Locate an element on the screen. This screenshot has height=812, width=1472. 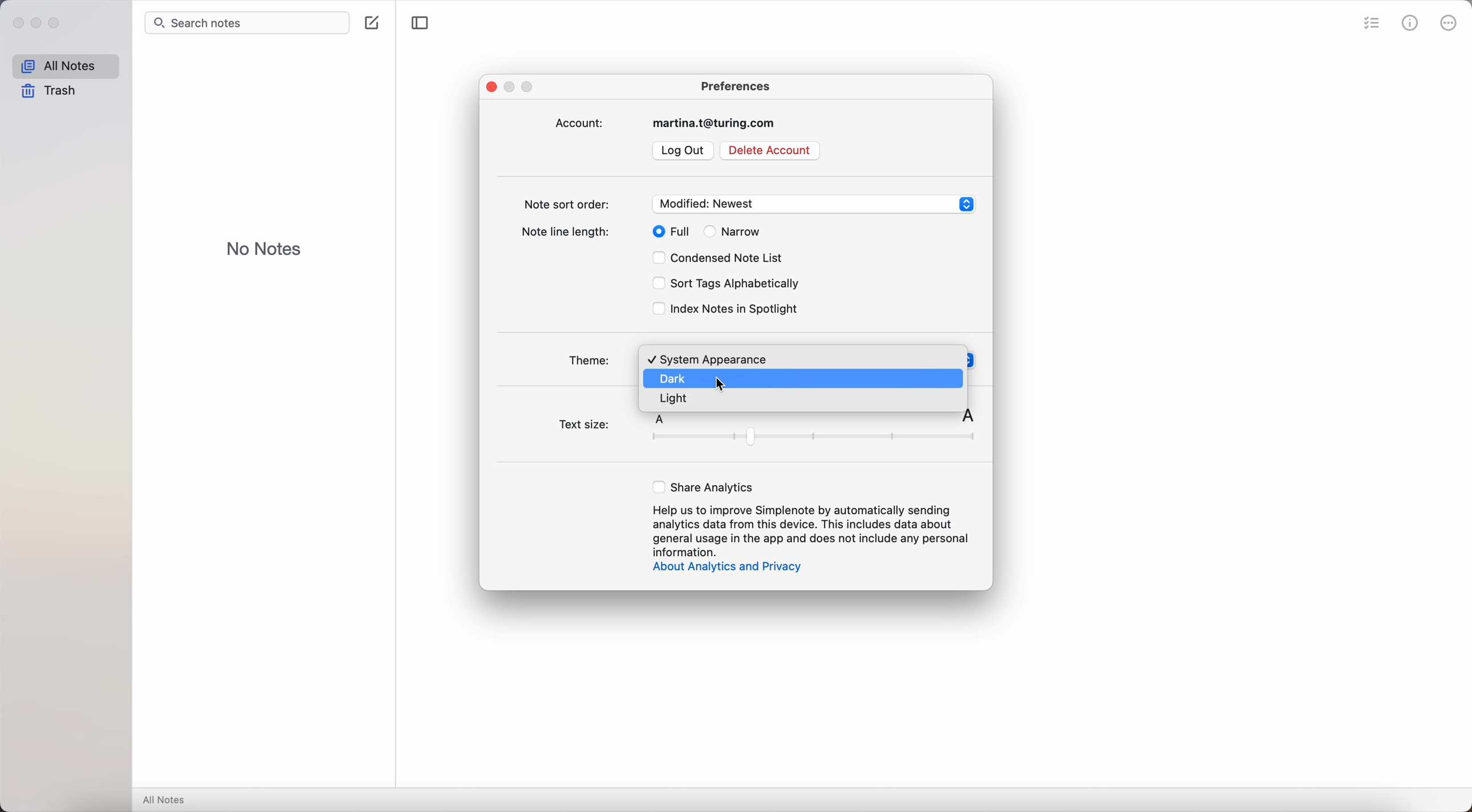
more options is located at coordinates (1450, 22).